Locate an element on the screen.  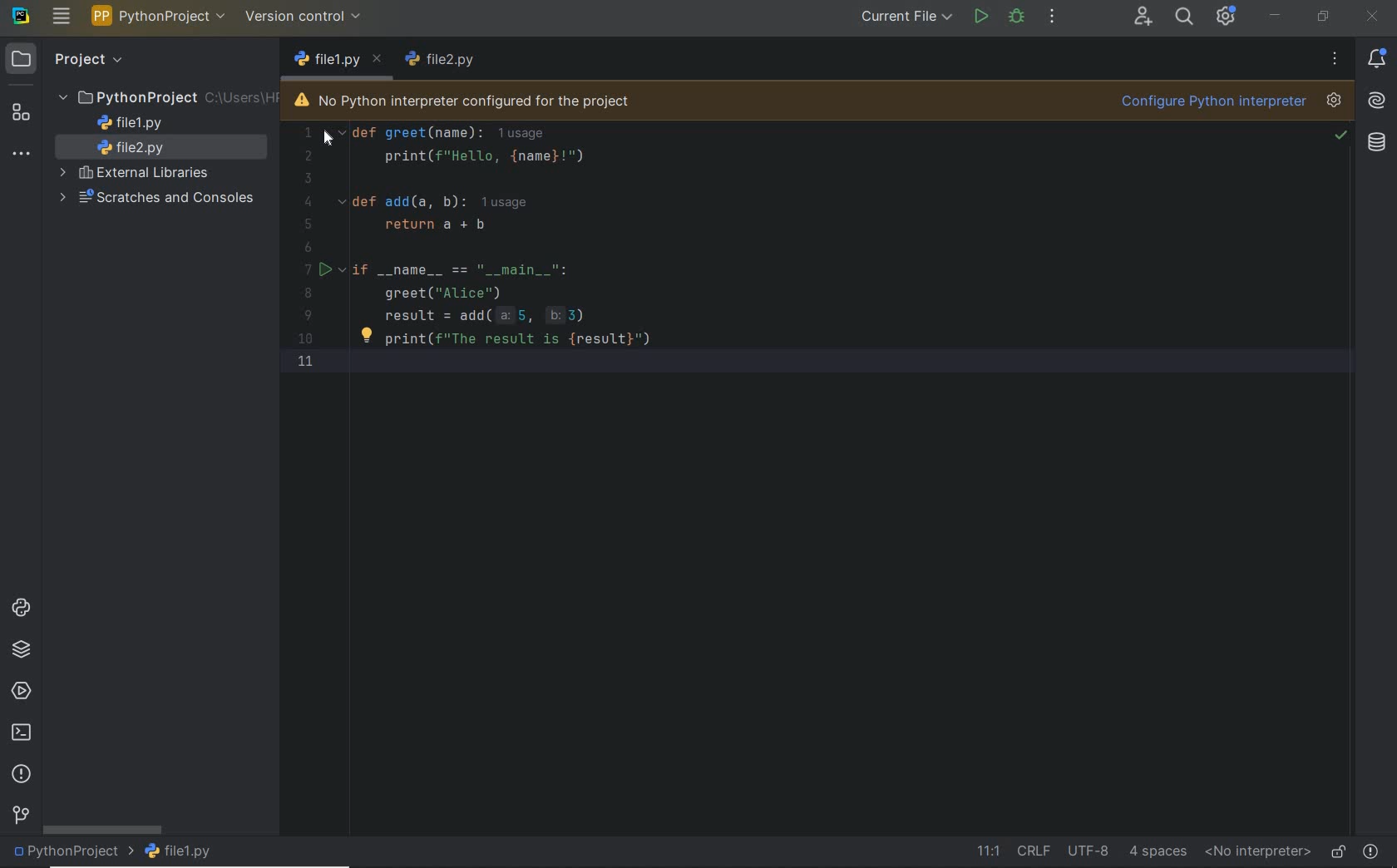
file name is located at coordinates (339, 62).